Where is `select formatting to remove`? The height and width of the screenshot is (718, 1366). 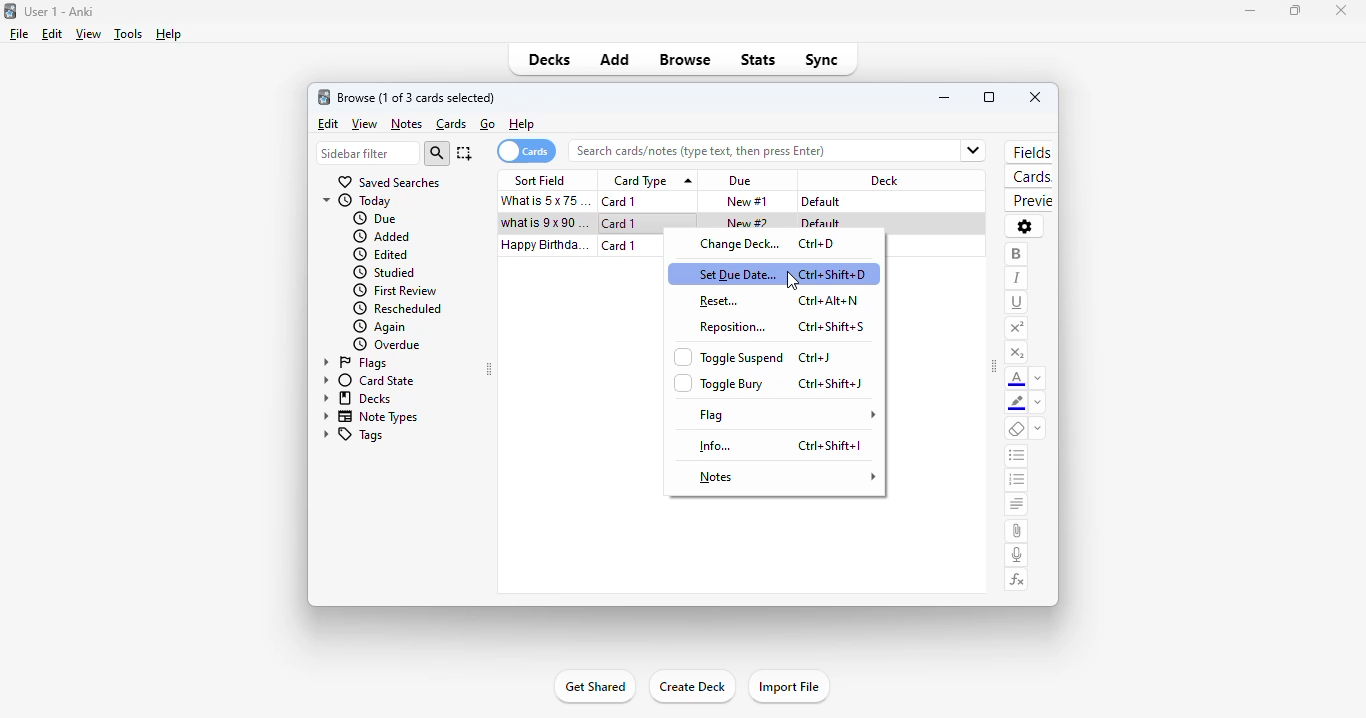 select formatting to remove is located at coordinates (1038, 429).